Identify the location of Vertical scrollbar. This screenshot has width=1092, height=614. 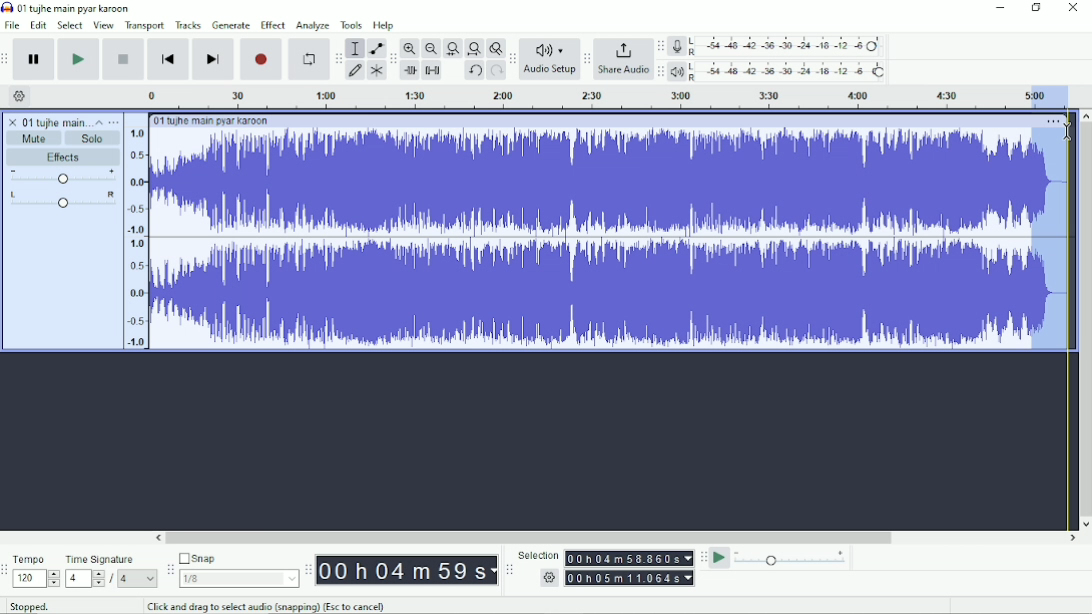
(1085, 320).